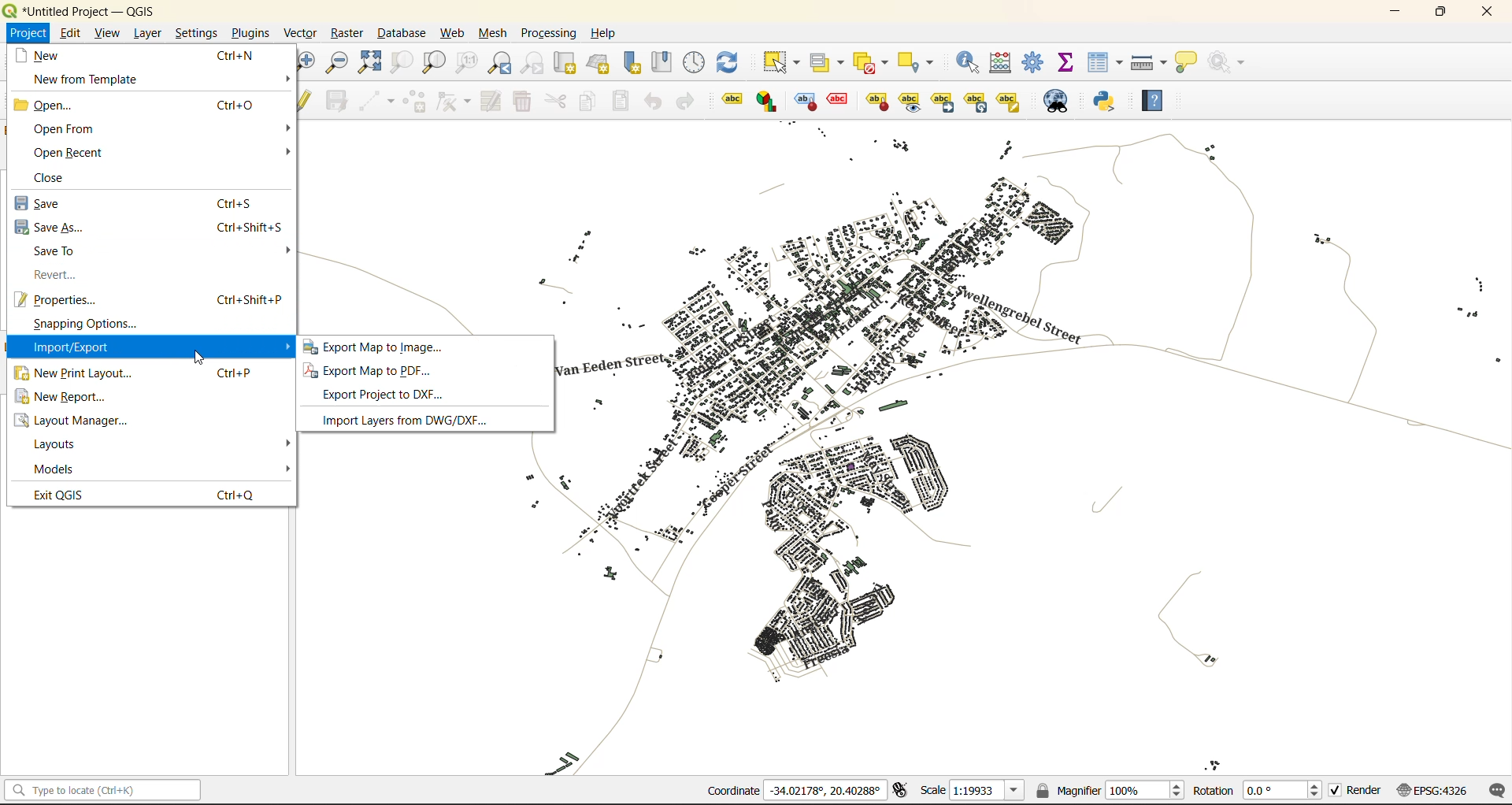 This screenshot has width=1512, height=805. I want to click on import/export, so click(70, 348).